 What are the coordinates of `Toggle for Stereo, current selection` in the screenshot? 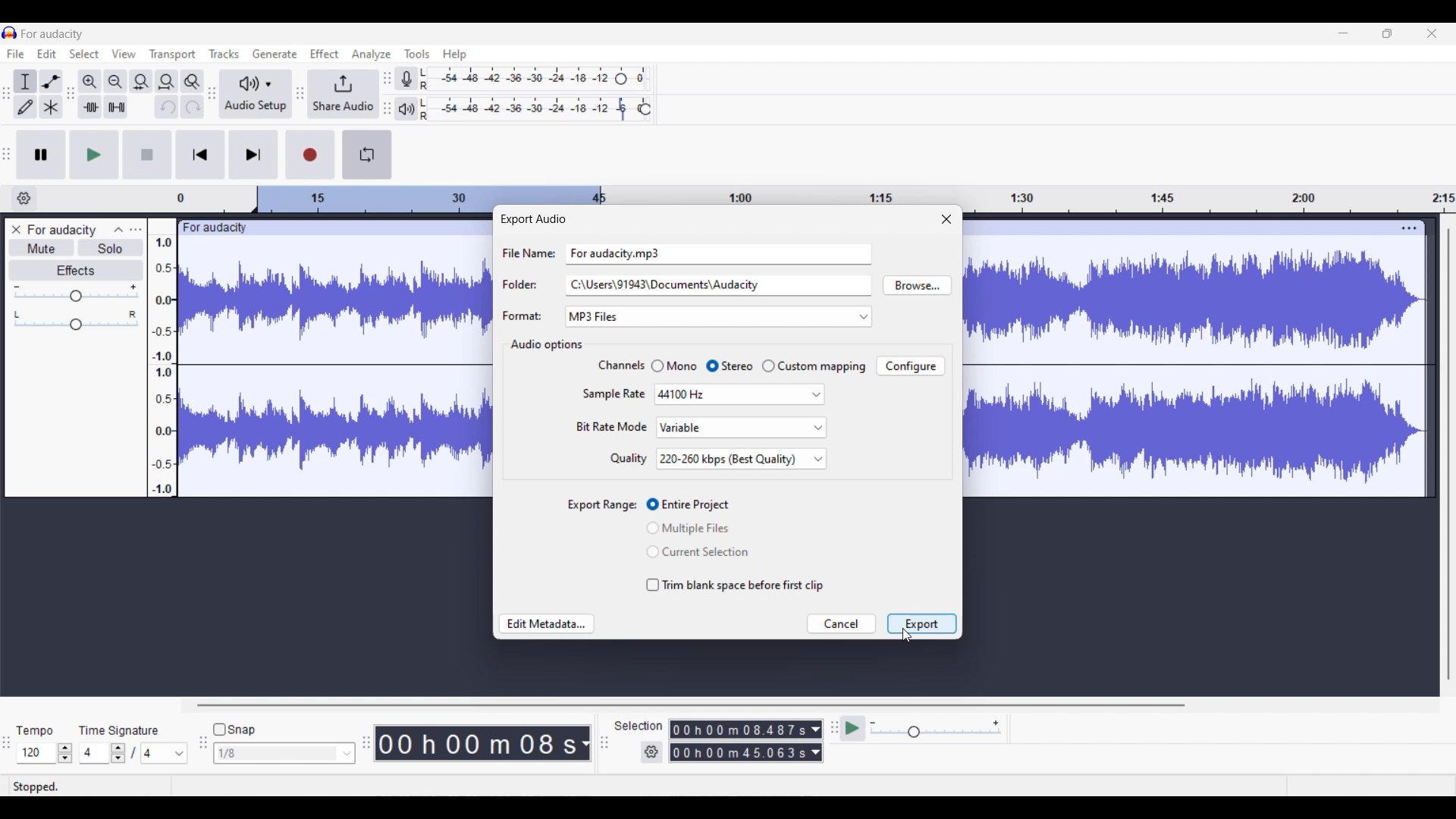 It's located at (730, 366).